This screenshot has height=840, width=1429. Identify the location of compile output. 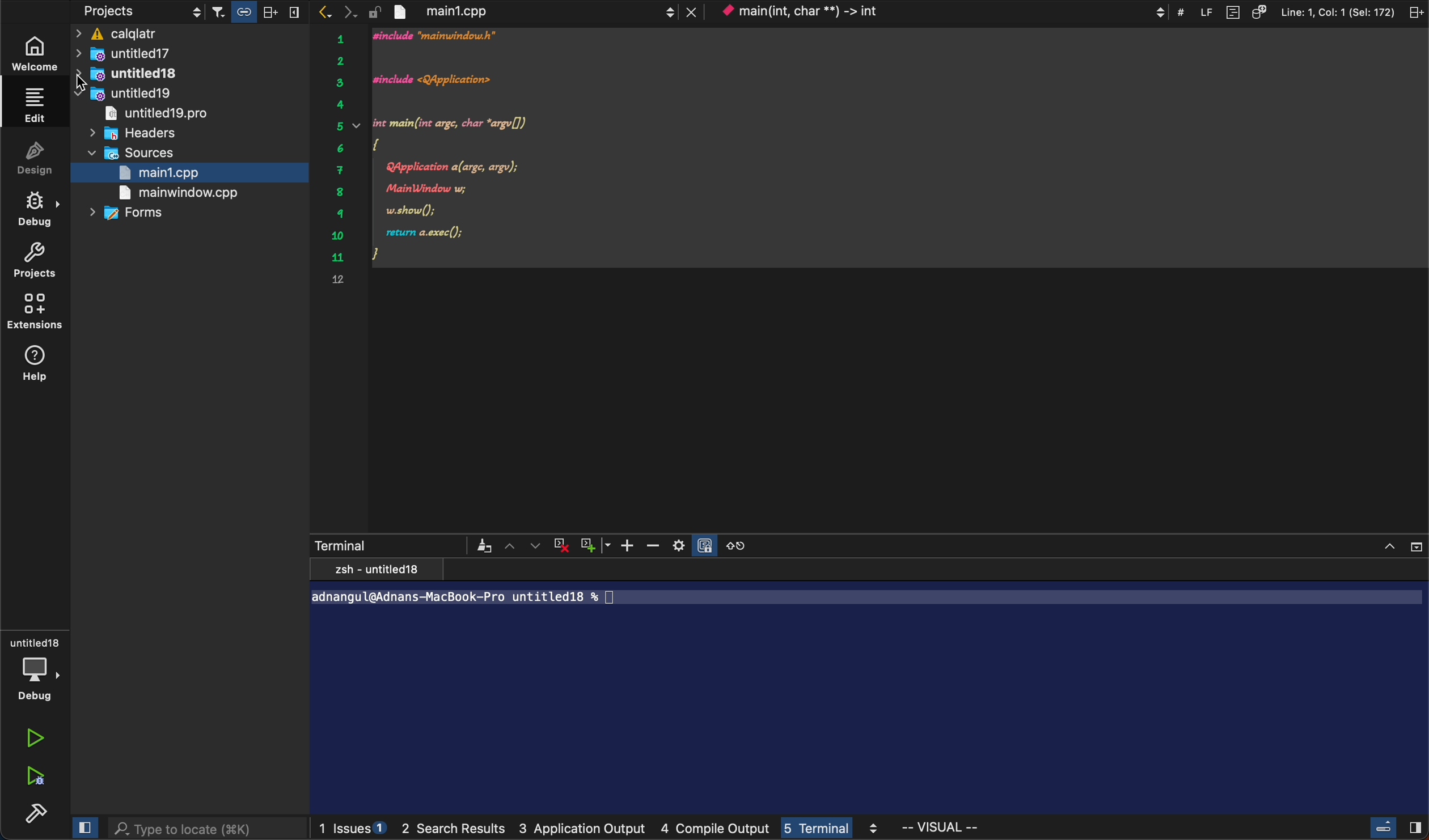
(716, 829).